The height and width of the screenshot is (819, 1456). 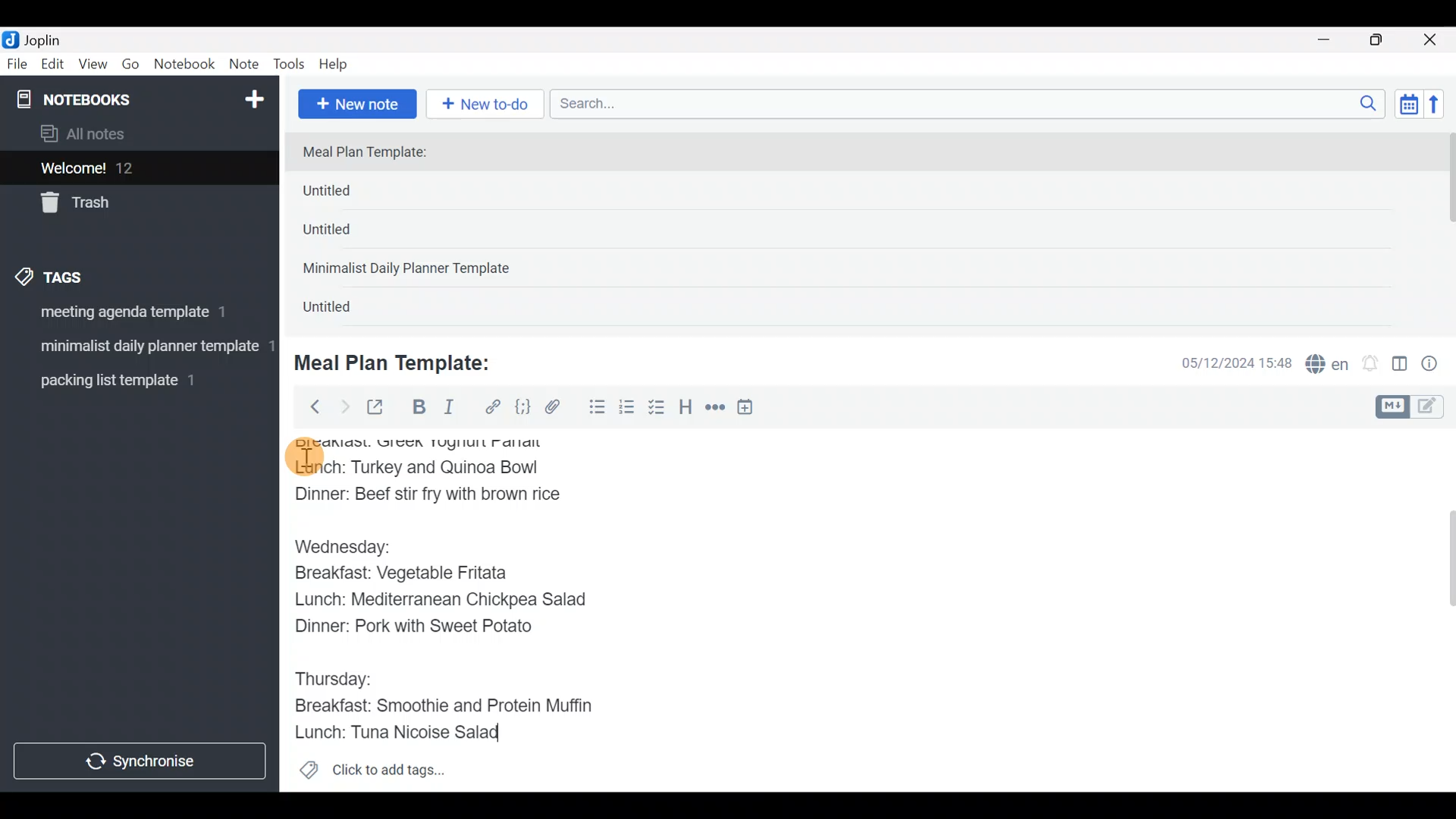 What do you see at coordinates (253, 96) in the screenshot?
I see `New` at bounding box center [253, 96].